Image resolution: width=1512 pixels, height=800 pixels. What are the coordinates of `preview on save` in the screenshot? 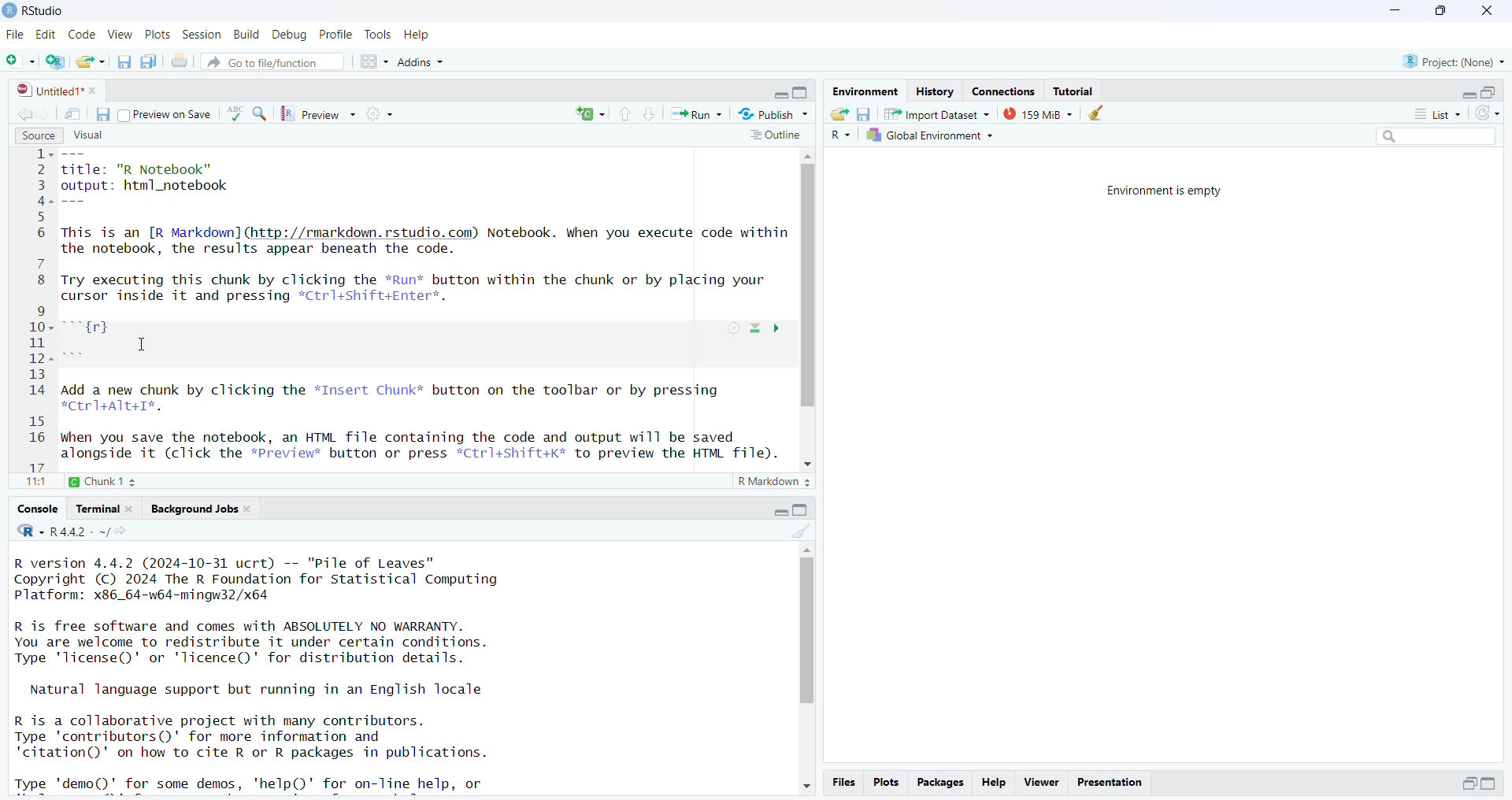 It's located at (166, 116).